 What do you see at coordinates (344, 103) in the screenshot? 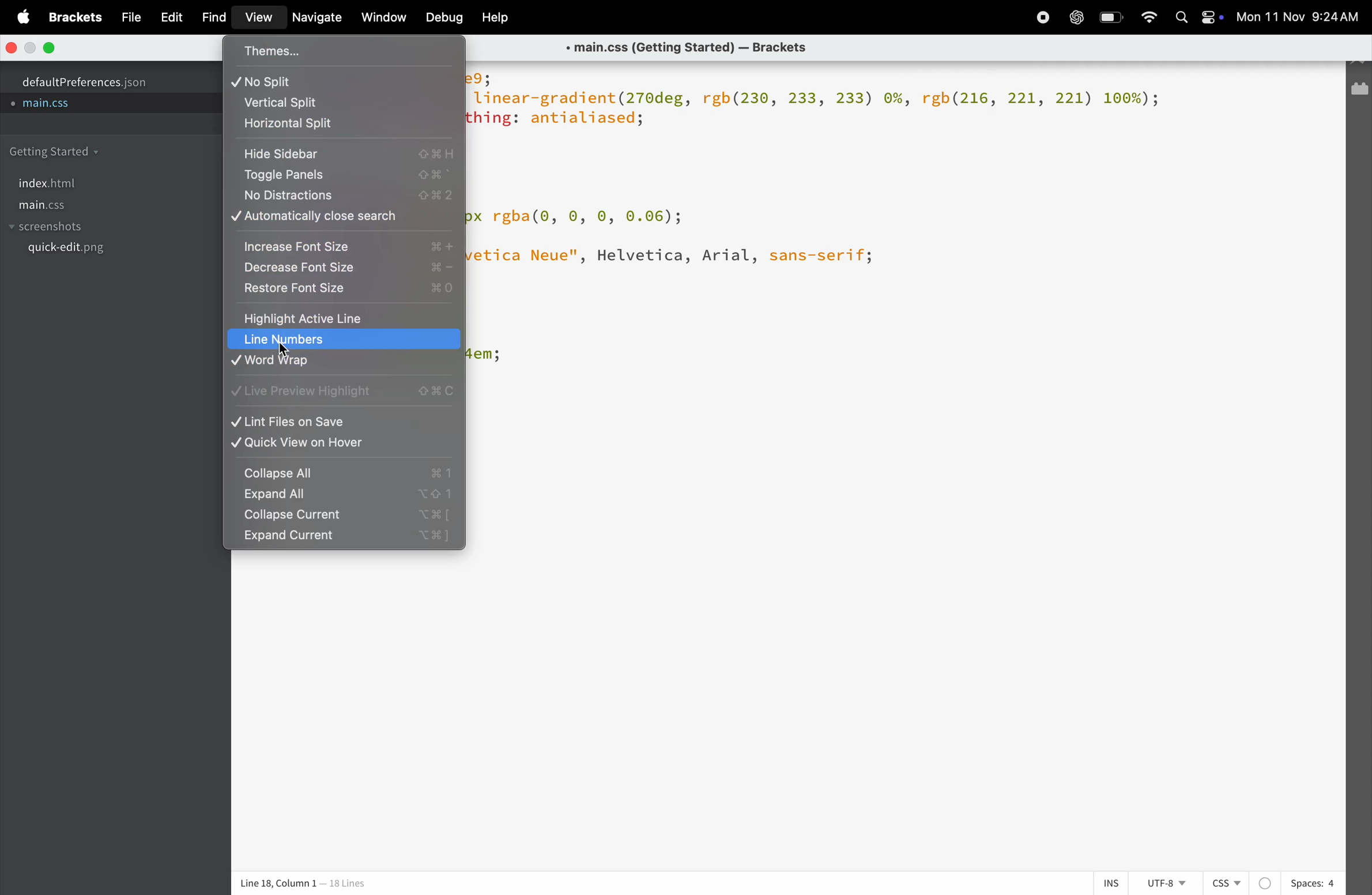
I see `vertical` at bounding box center [344, 103].